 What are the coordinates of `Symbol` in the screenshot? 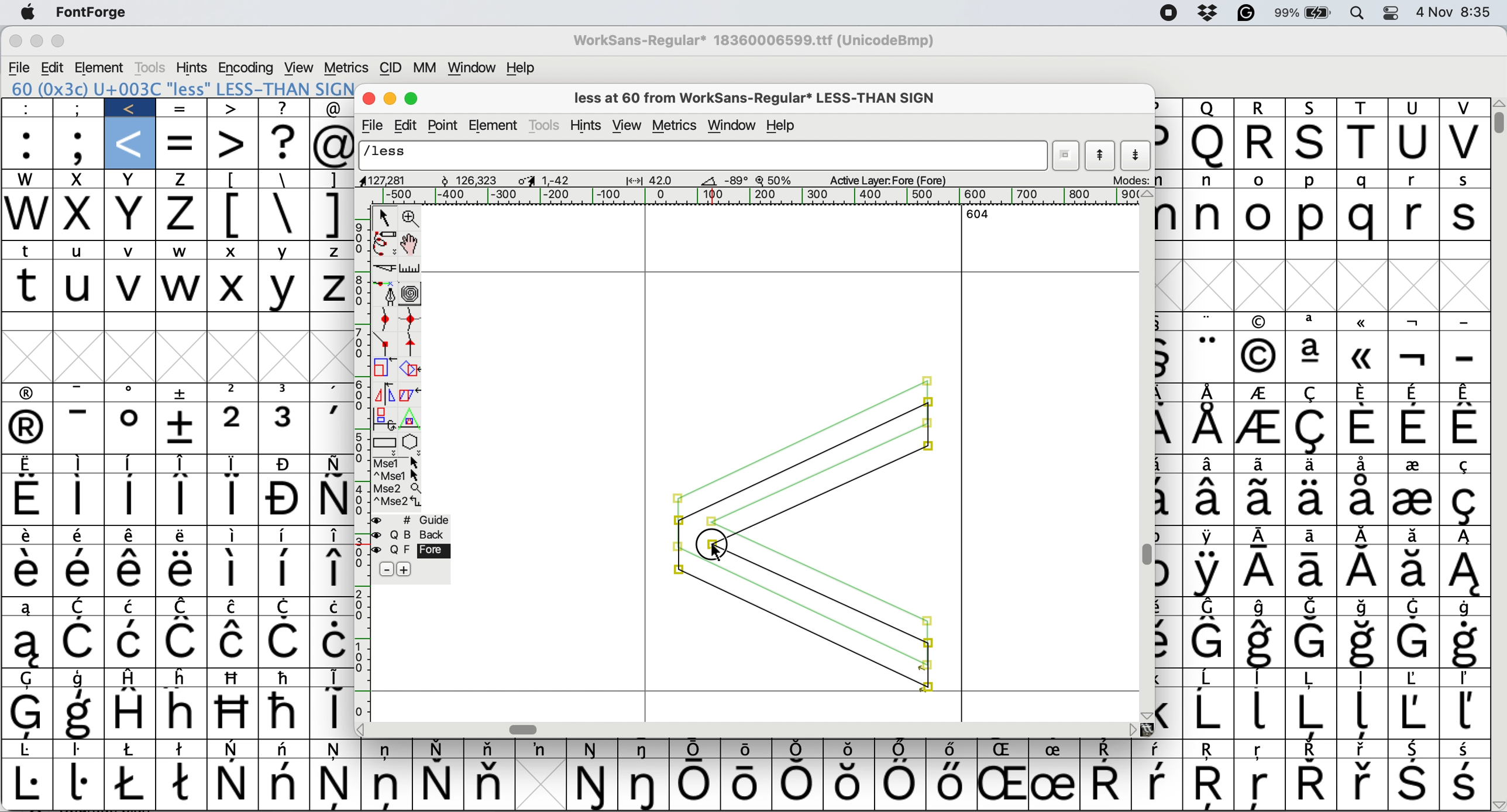 It's located at (1363, 536).